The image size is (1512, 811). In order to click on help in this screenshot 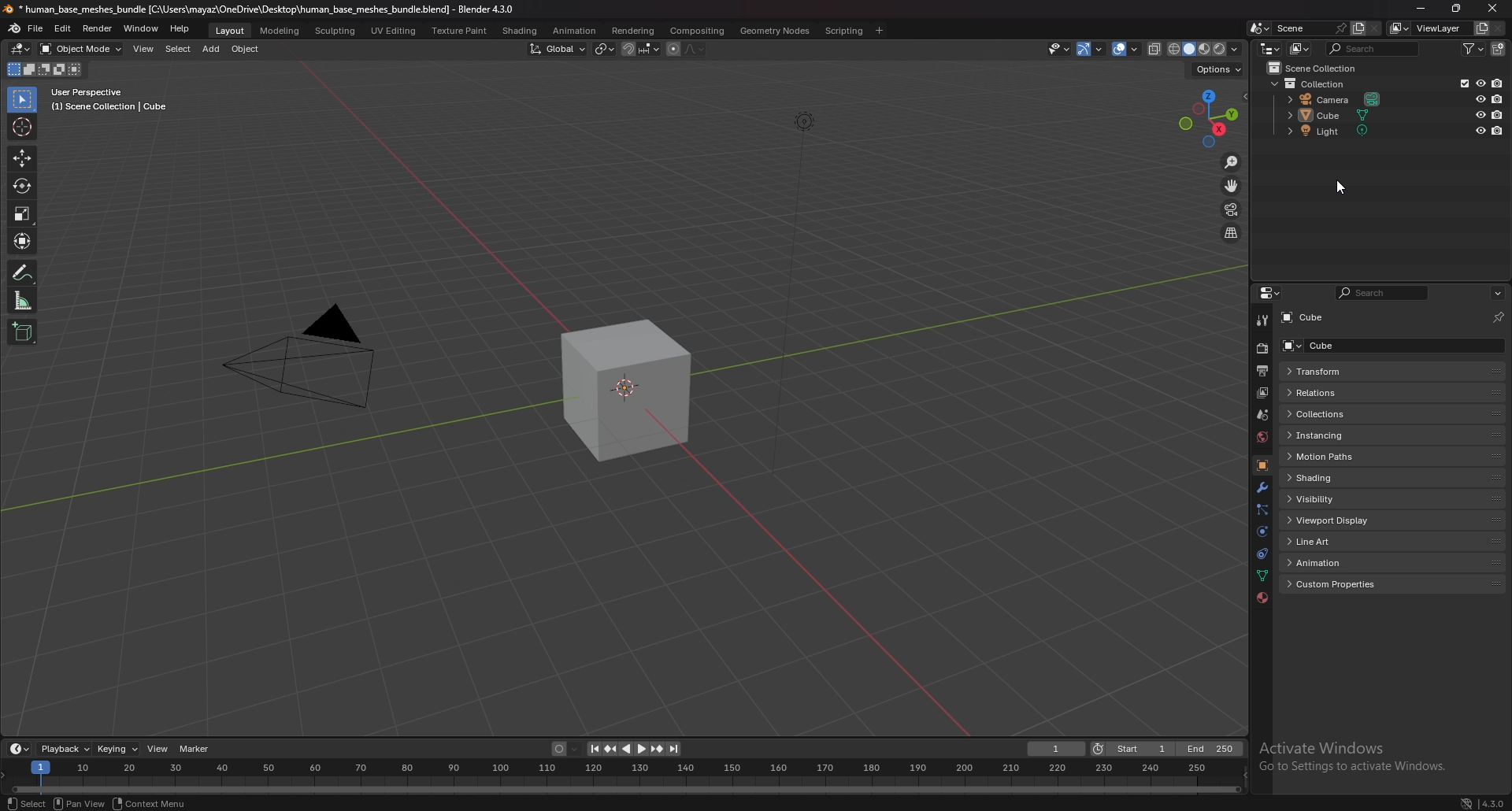, I will do `click(180, 28)`.